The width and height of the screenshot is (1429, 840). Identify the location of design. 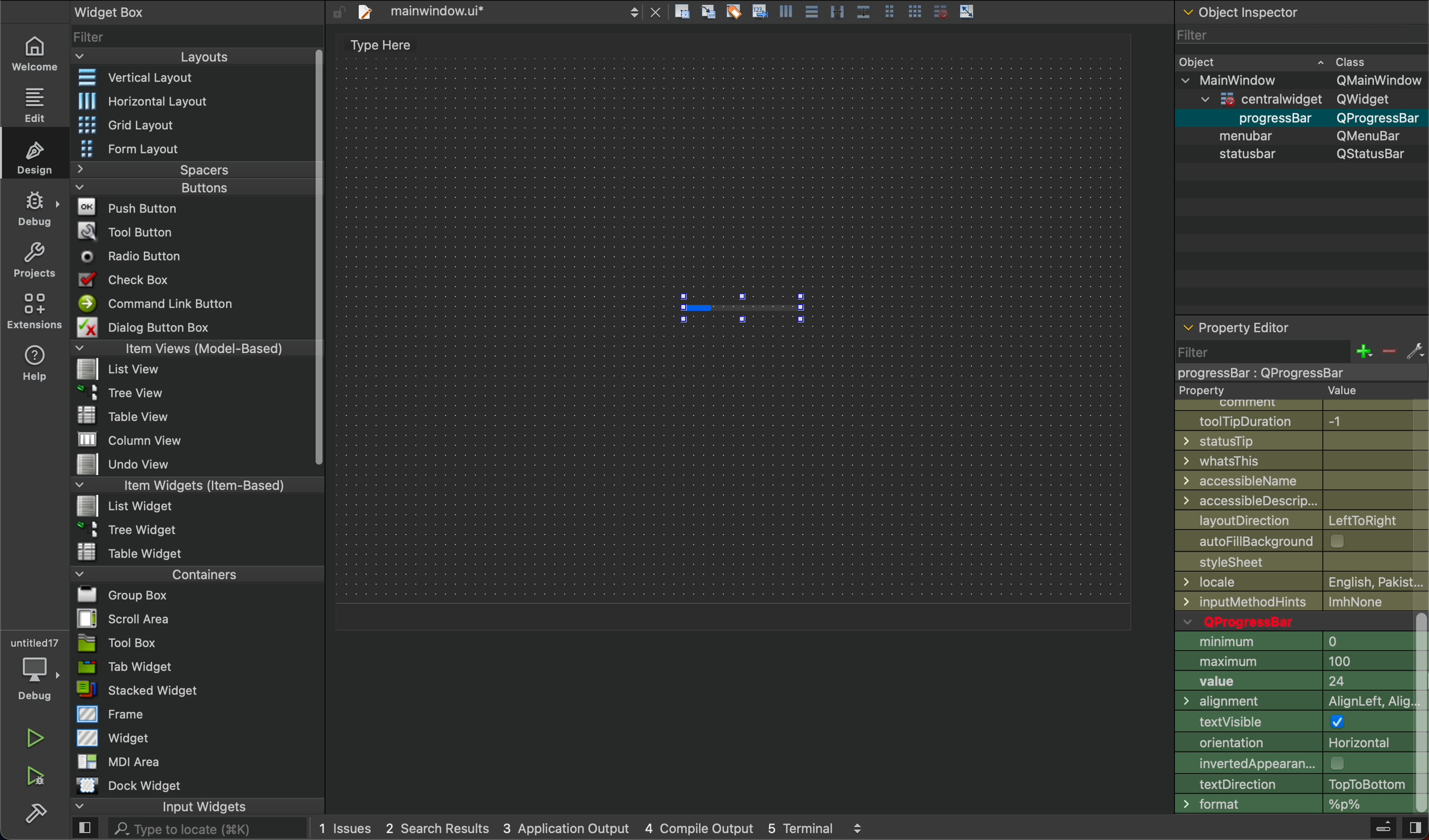
(37, 156).